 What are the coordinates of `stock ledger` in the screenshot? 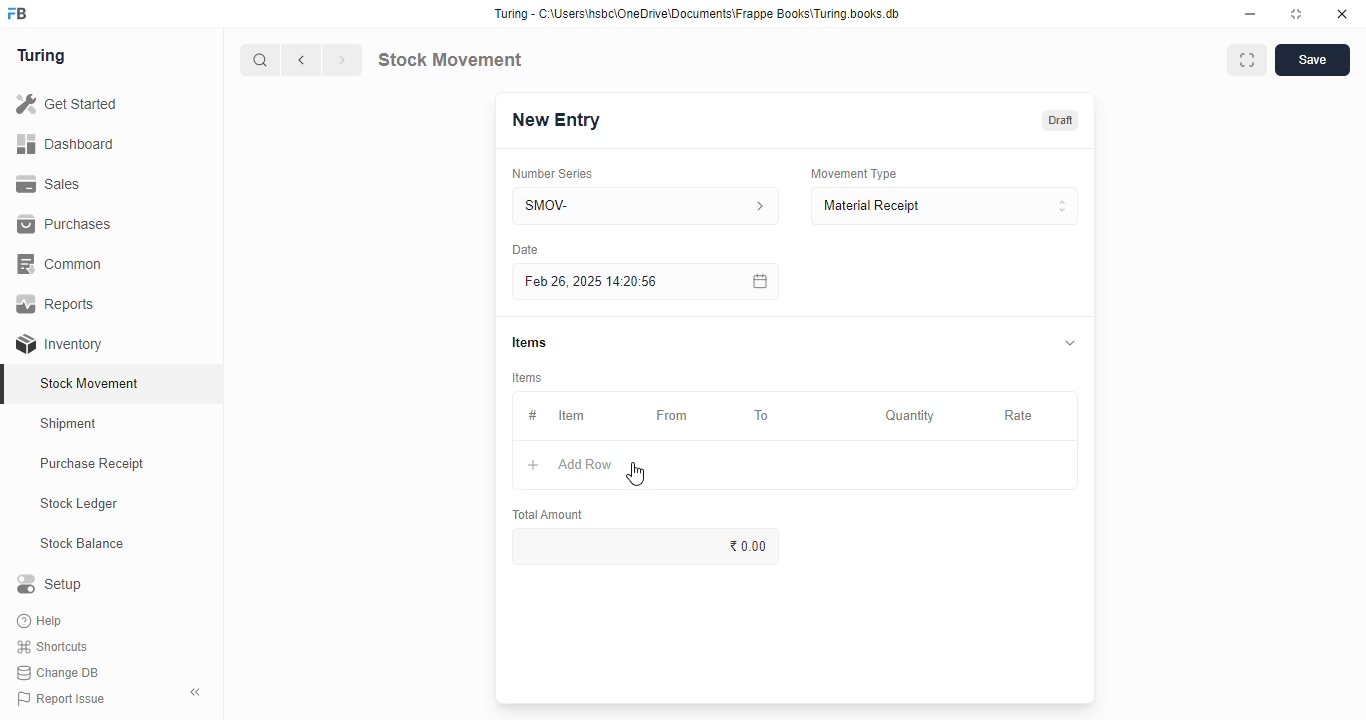 It's located at (80, 504).